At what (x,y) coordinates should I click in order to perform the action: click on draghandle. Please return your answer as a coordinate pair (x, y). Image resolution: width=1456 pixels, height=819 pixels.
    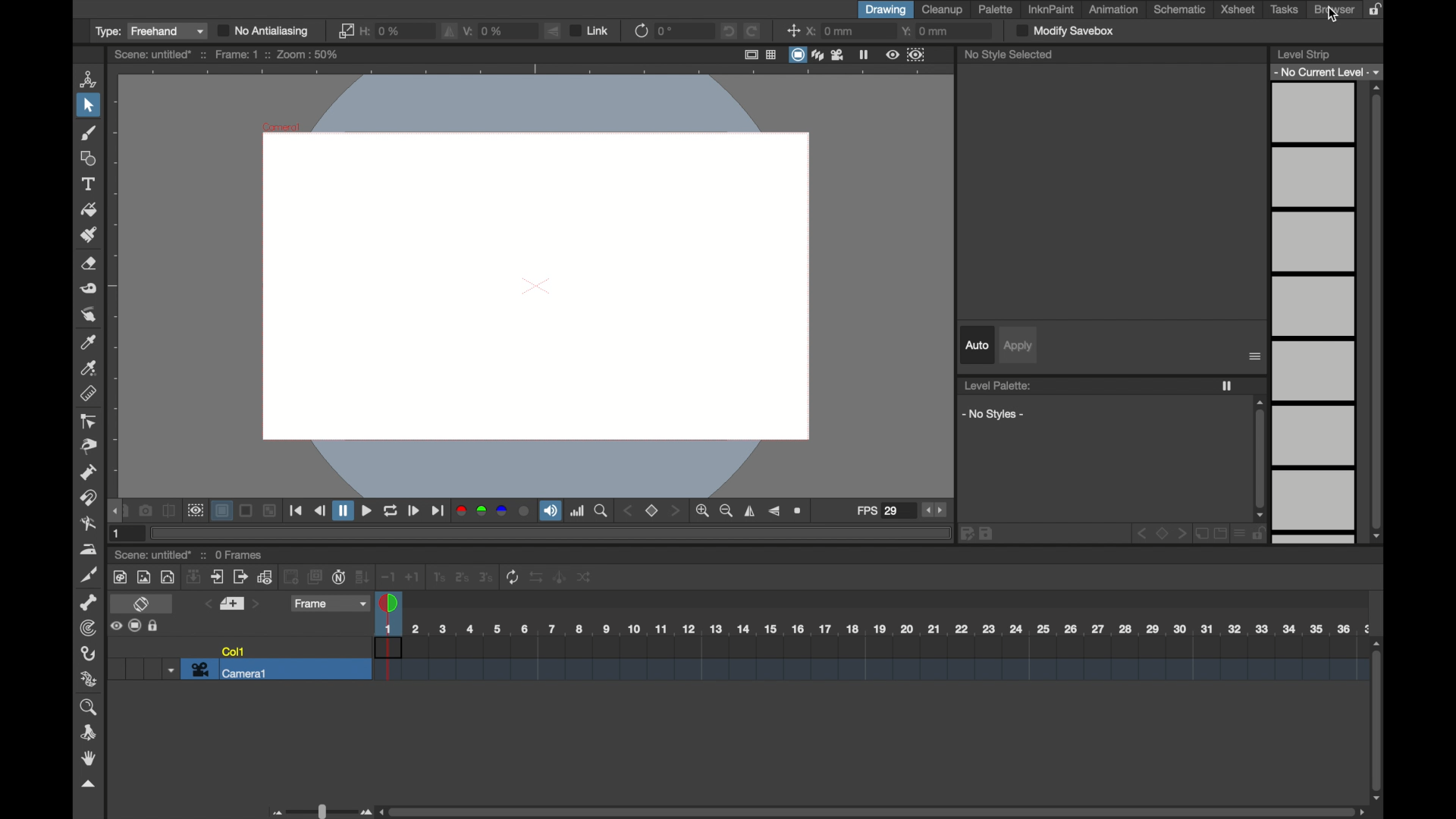
    Looking at the image, I should click on (116, 511).